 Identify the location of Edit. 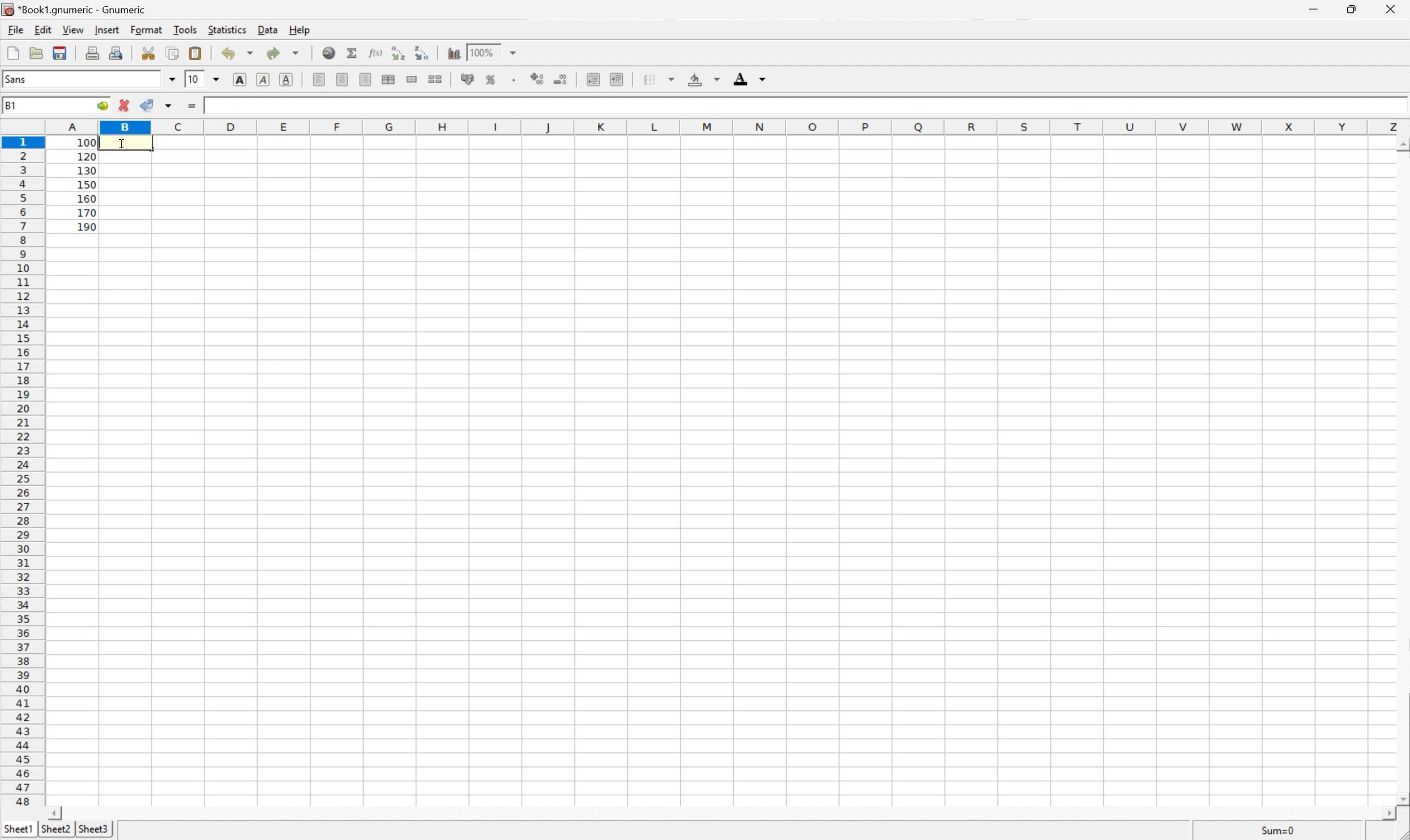
(45, 30).